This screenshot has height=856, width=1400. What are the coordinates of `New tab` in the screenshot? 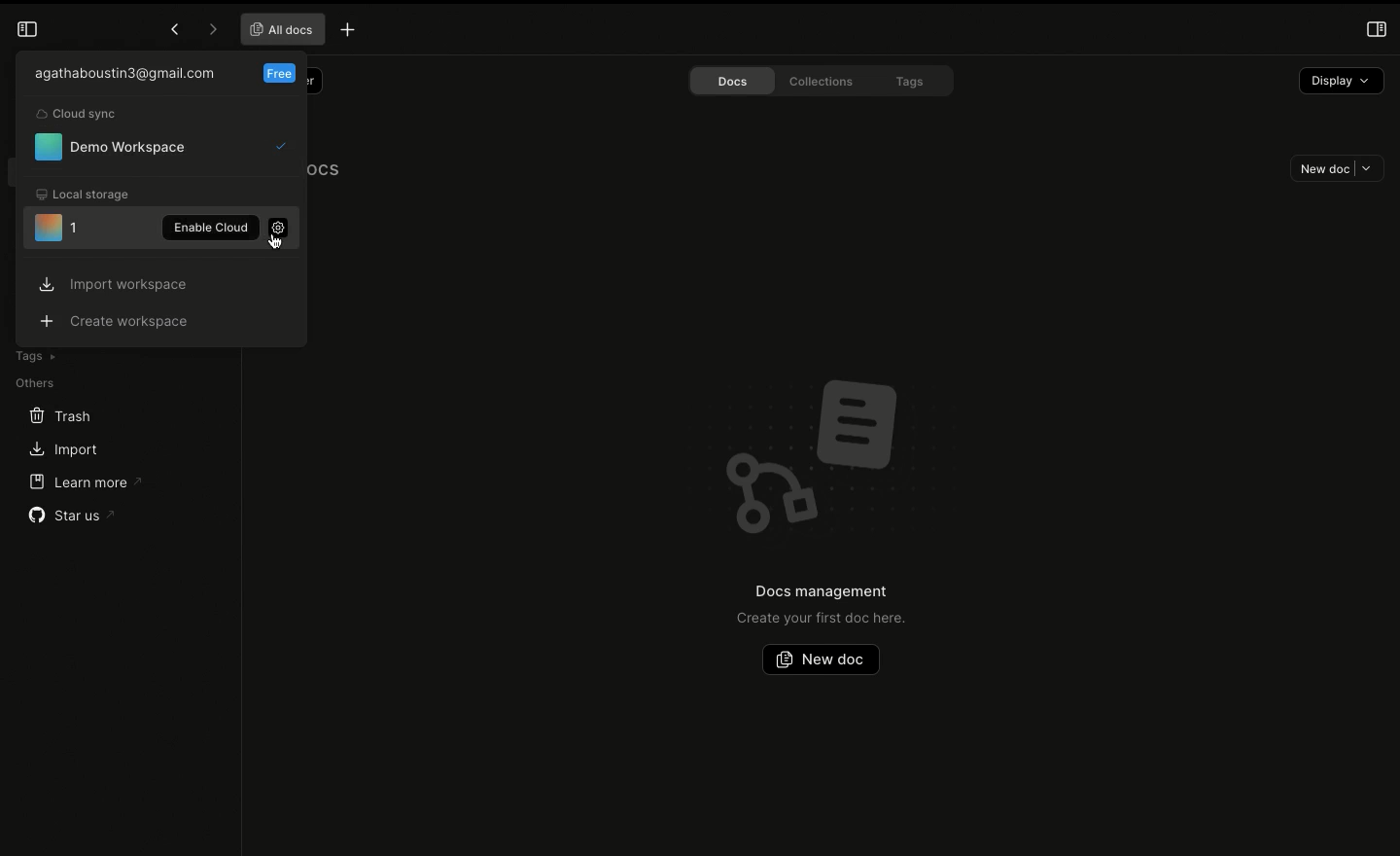 It's located at (348, 29).